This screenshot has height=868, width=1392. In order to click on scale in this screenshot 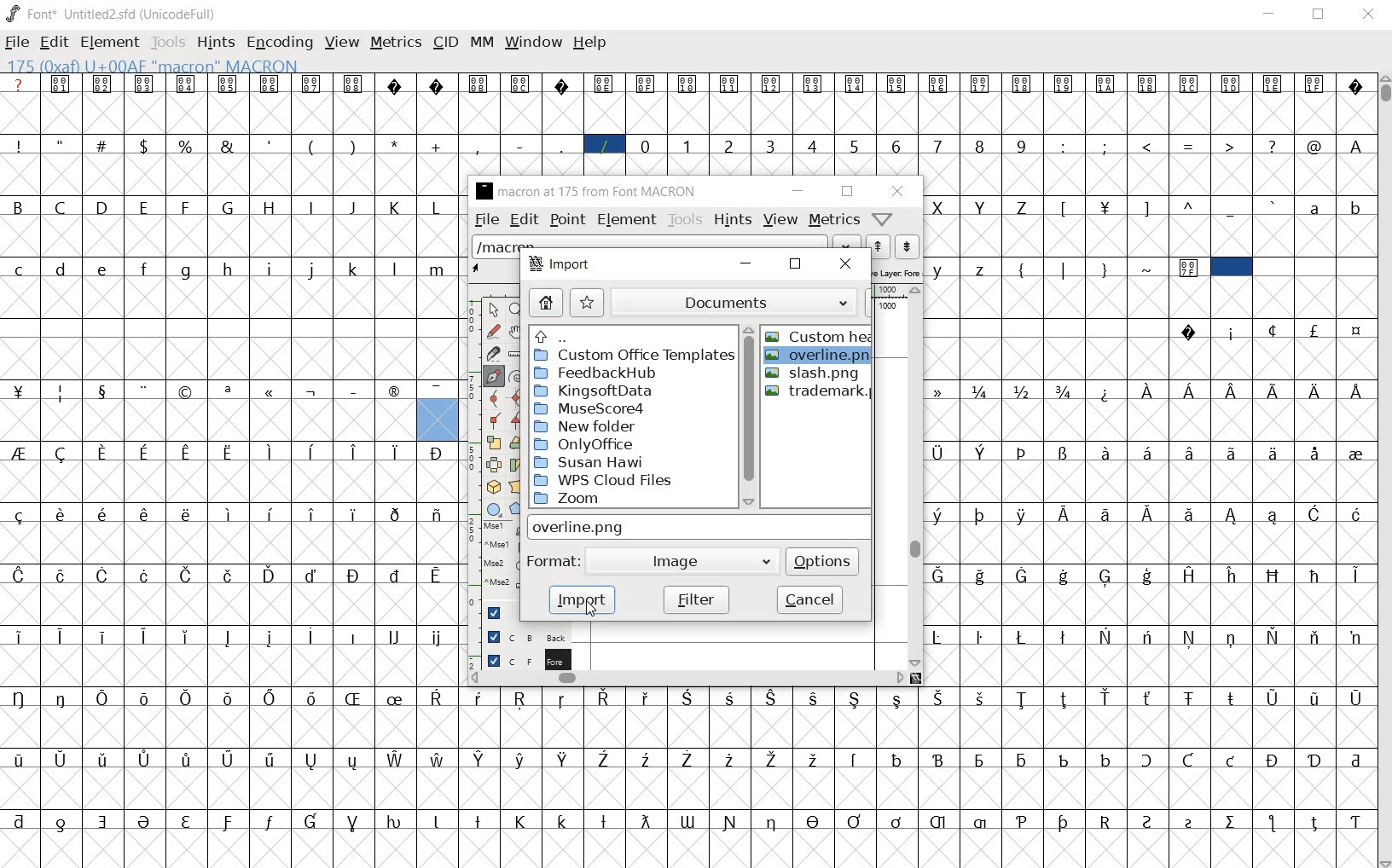, I will do `click(494, 443)`.